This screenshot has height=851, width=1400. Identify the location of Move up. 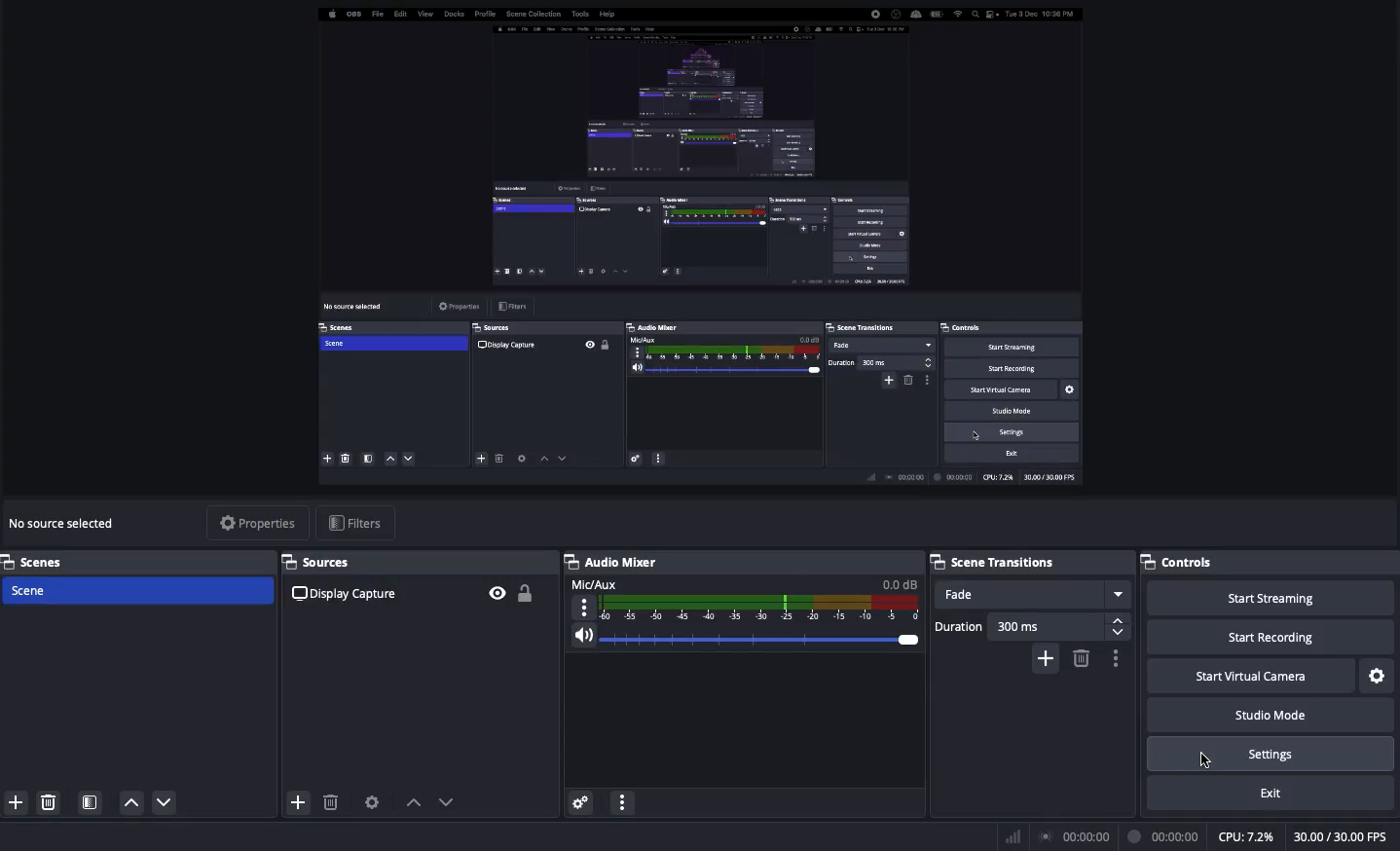
(410, 802).